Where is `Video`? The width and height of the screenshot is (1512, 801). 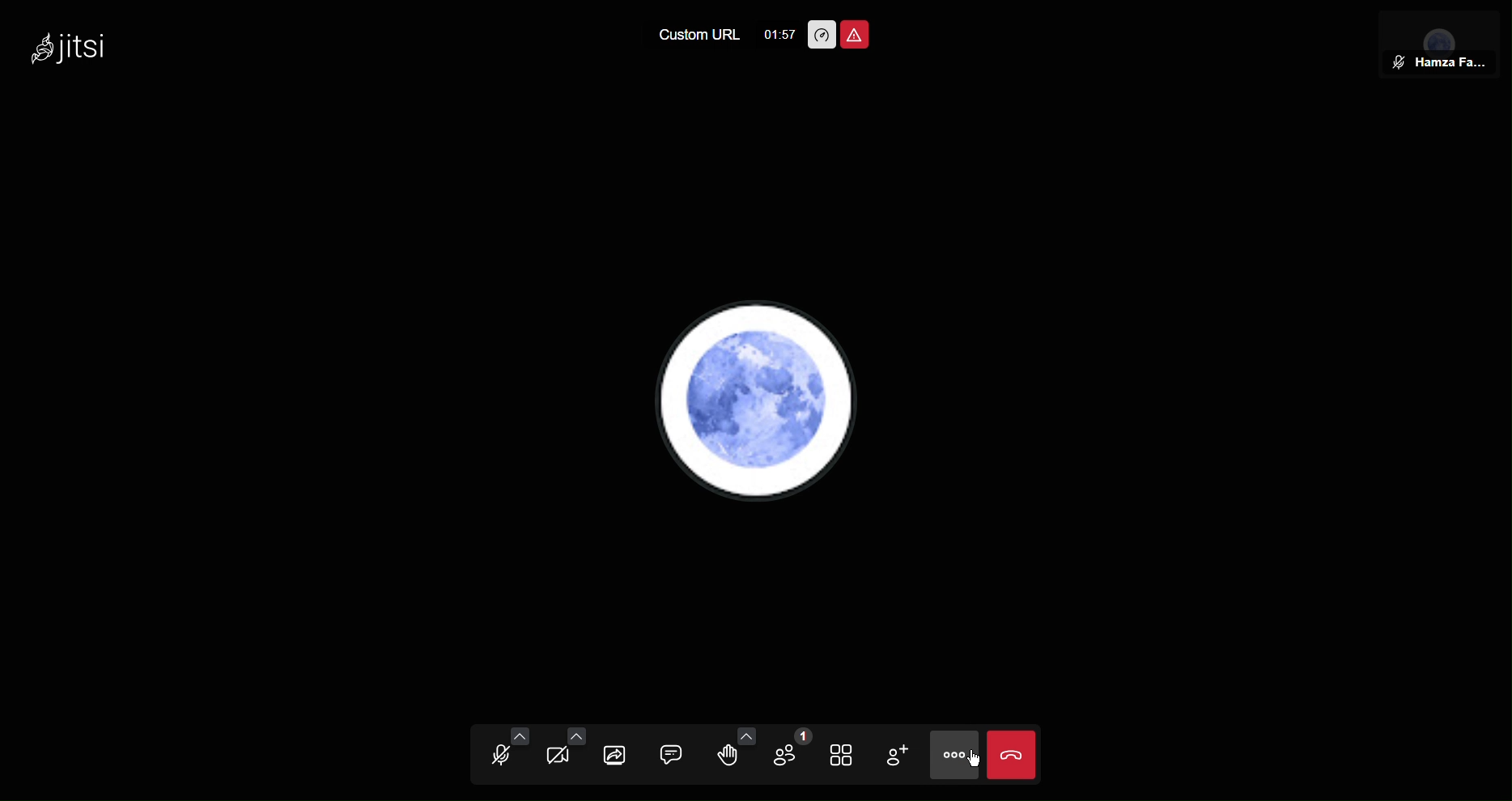 Video is located at coordinates (562, 754).